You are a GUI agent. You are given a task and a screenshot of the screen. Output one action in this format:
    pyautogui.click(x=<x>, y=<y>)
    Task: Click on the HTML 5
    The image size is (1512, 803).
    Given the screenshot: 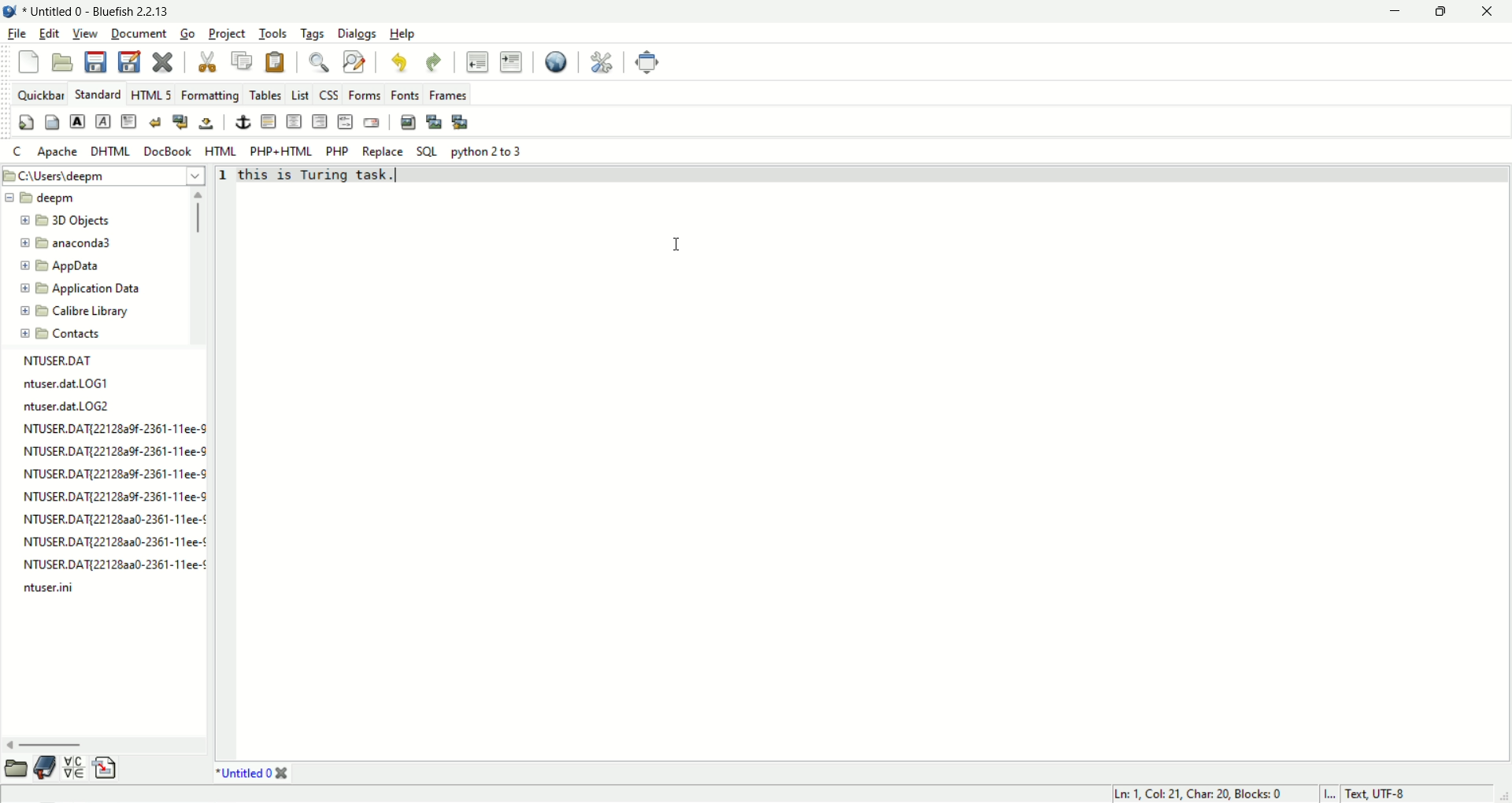 What is the action you would take?
    pyautogui.click(x=150, y=94)
    